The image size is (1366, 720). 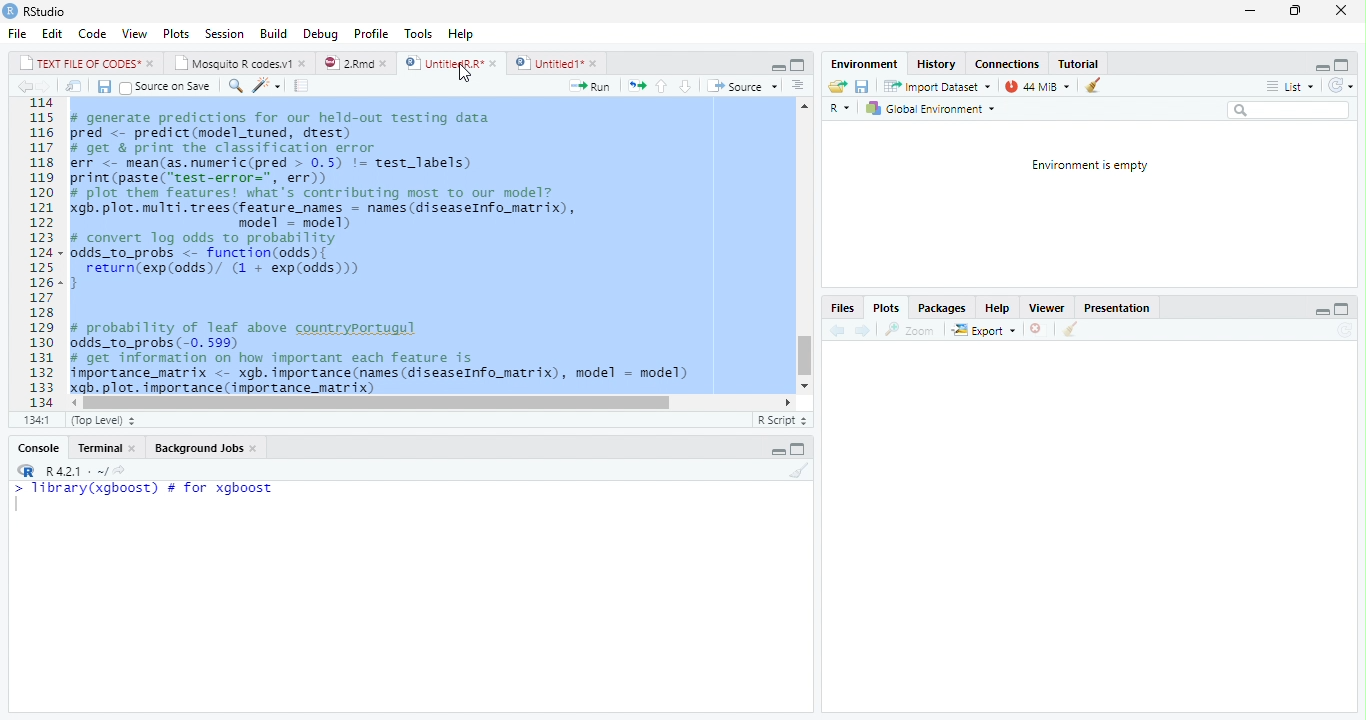 I want to click on Code, so click(x=90, y=34).